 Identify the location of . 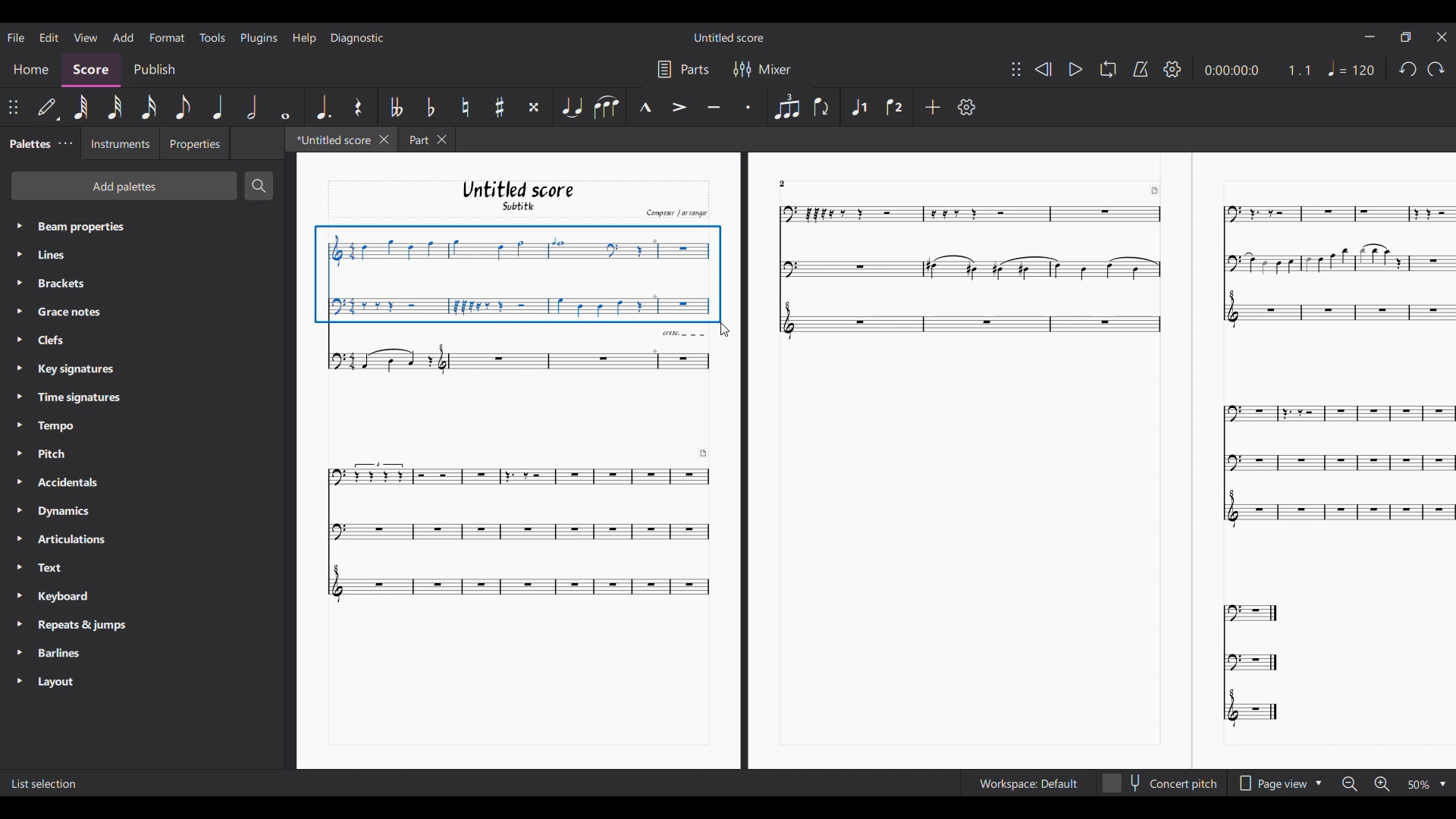
(969, 268).